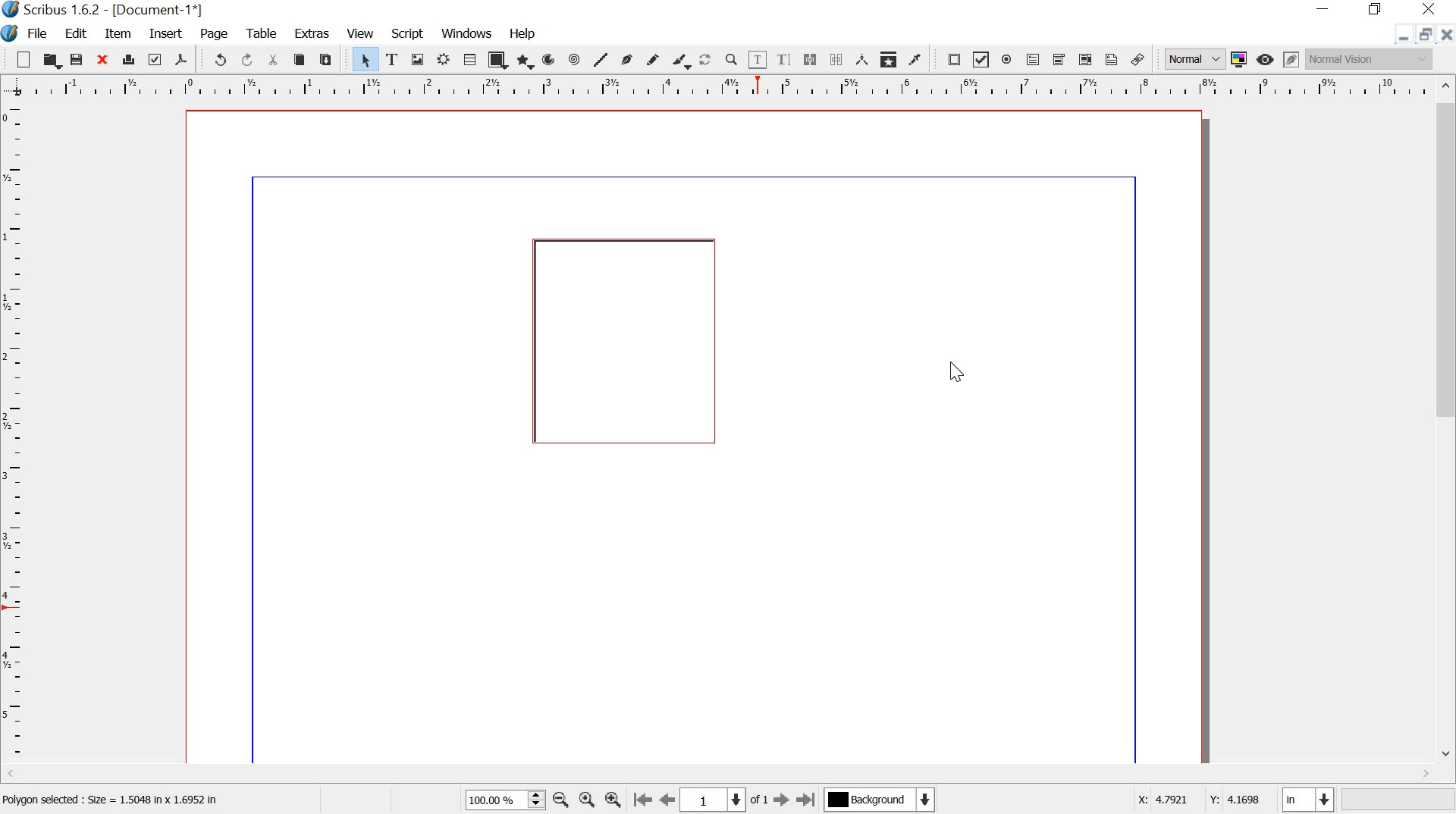 The width and height of the screenshot is (1456, 814). I want to click on zoom in or out, so click(731, 61).